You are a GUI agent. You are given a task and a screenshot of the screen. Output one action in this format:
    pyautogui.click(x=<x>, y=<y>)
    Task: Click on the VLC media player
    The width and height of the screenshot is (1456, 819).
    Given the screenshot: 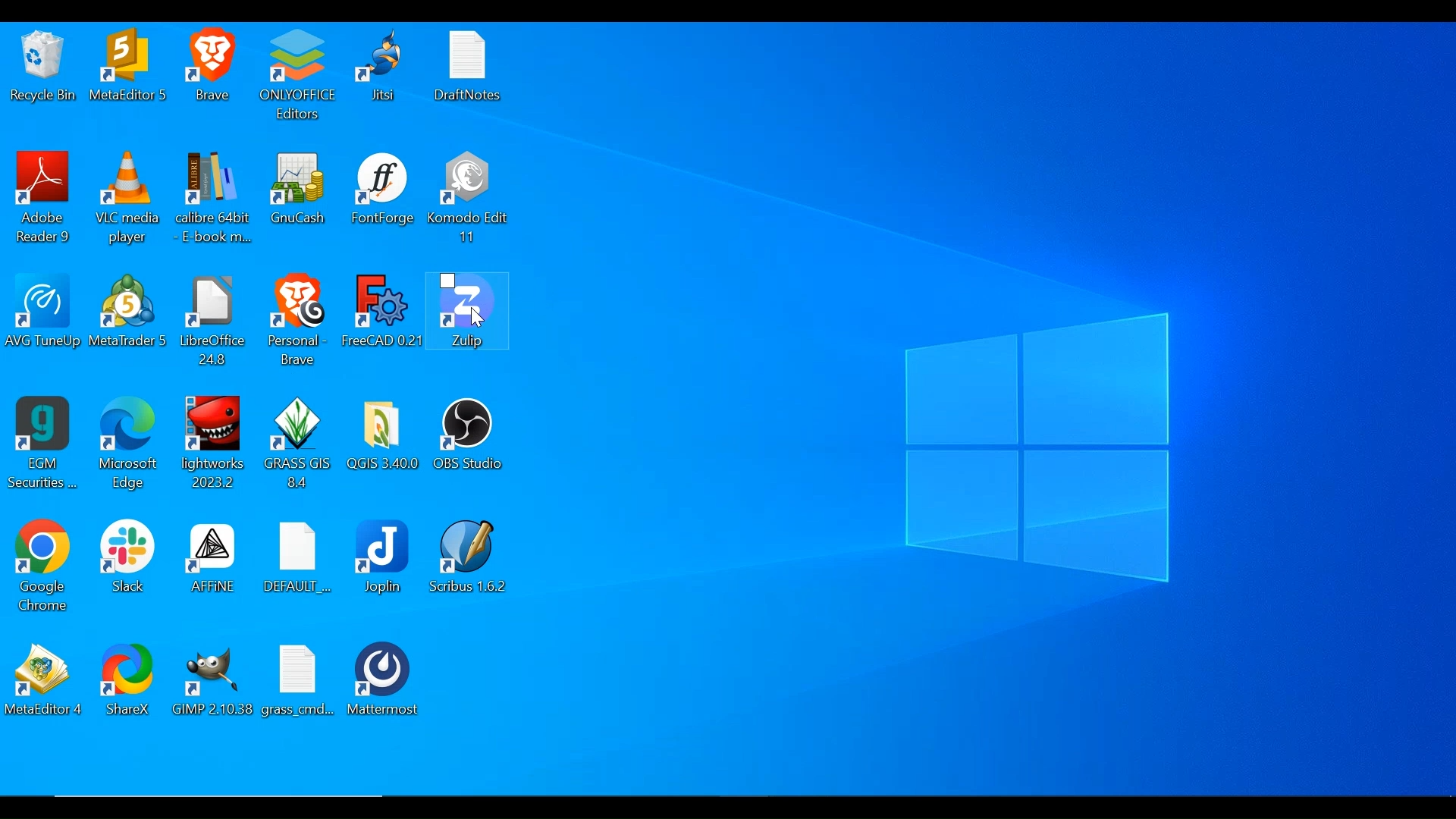 What is the action you would take?
    pyautogui.click(x=129, y=196)
    